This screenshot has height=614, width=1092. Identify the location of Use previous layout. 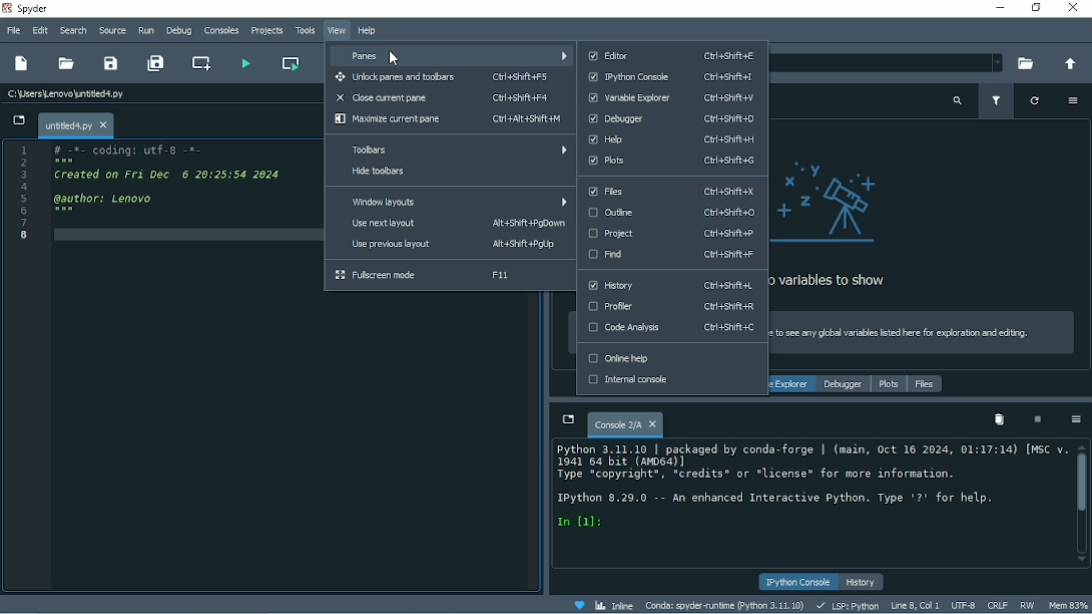
(448, 245).